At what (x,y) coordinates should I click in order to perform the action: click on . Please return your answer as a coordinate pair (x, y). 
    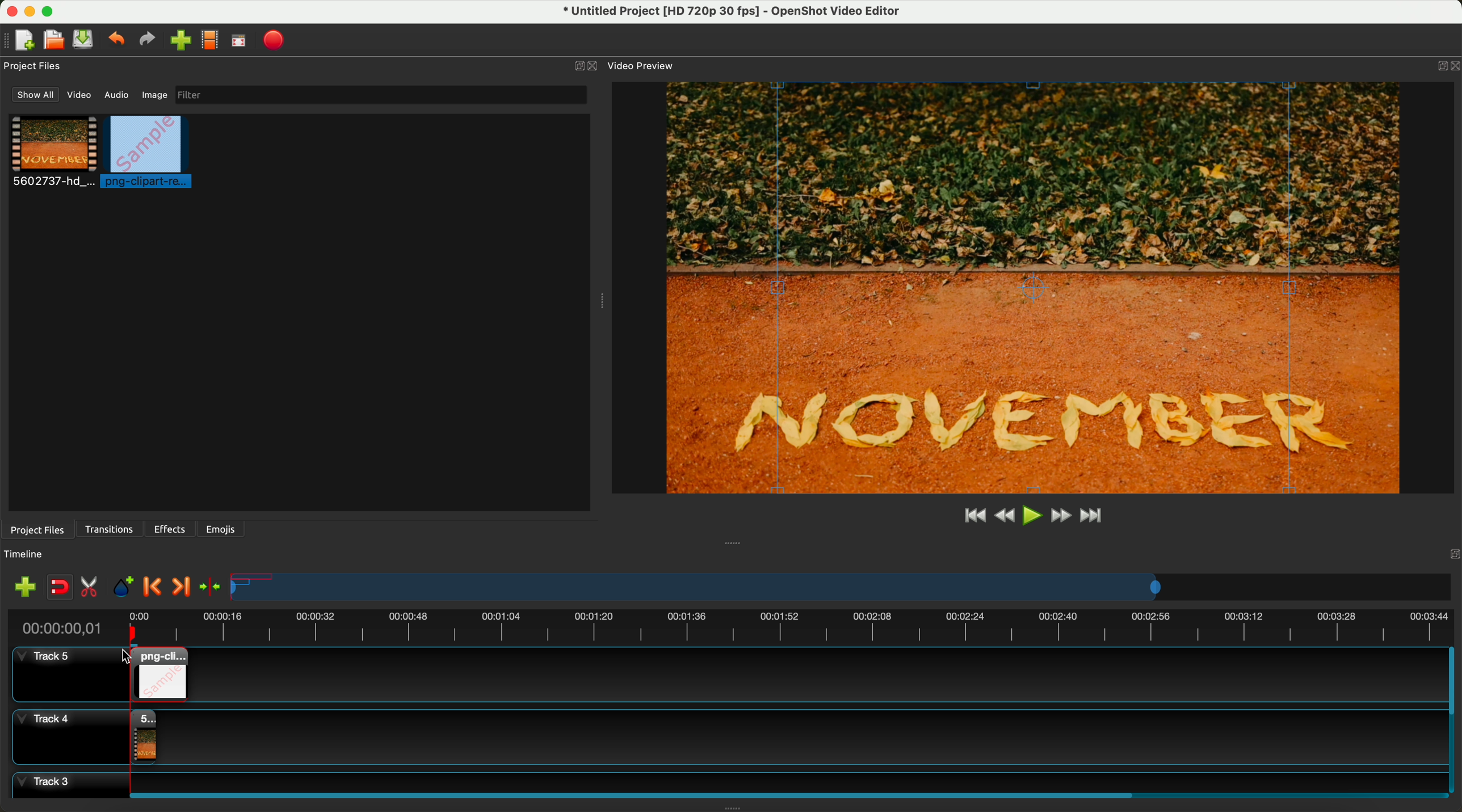
    Looking at the image, I should click on (1451, 553).